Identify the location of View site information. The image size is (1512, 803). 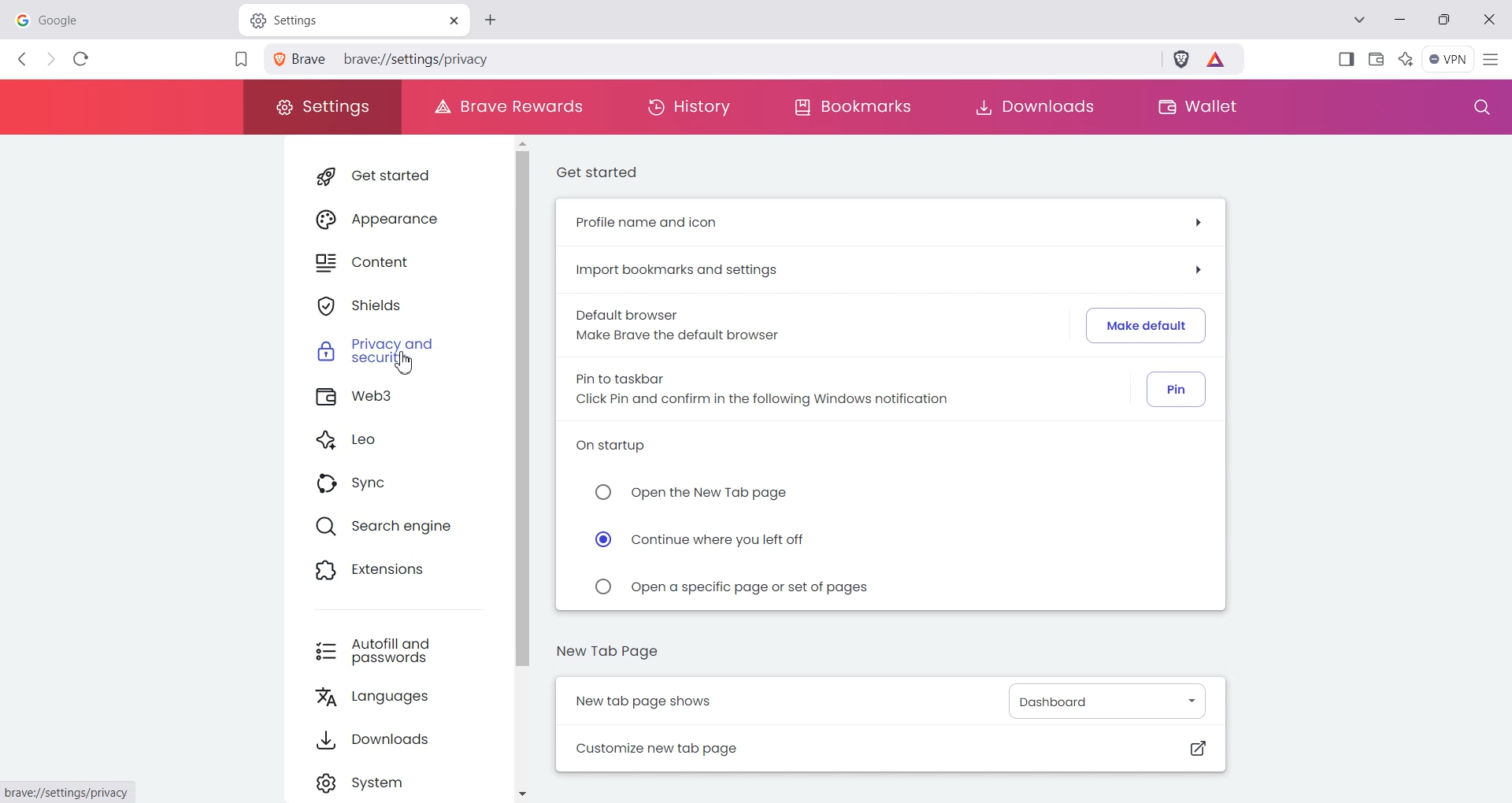
(302, 59).